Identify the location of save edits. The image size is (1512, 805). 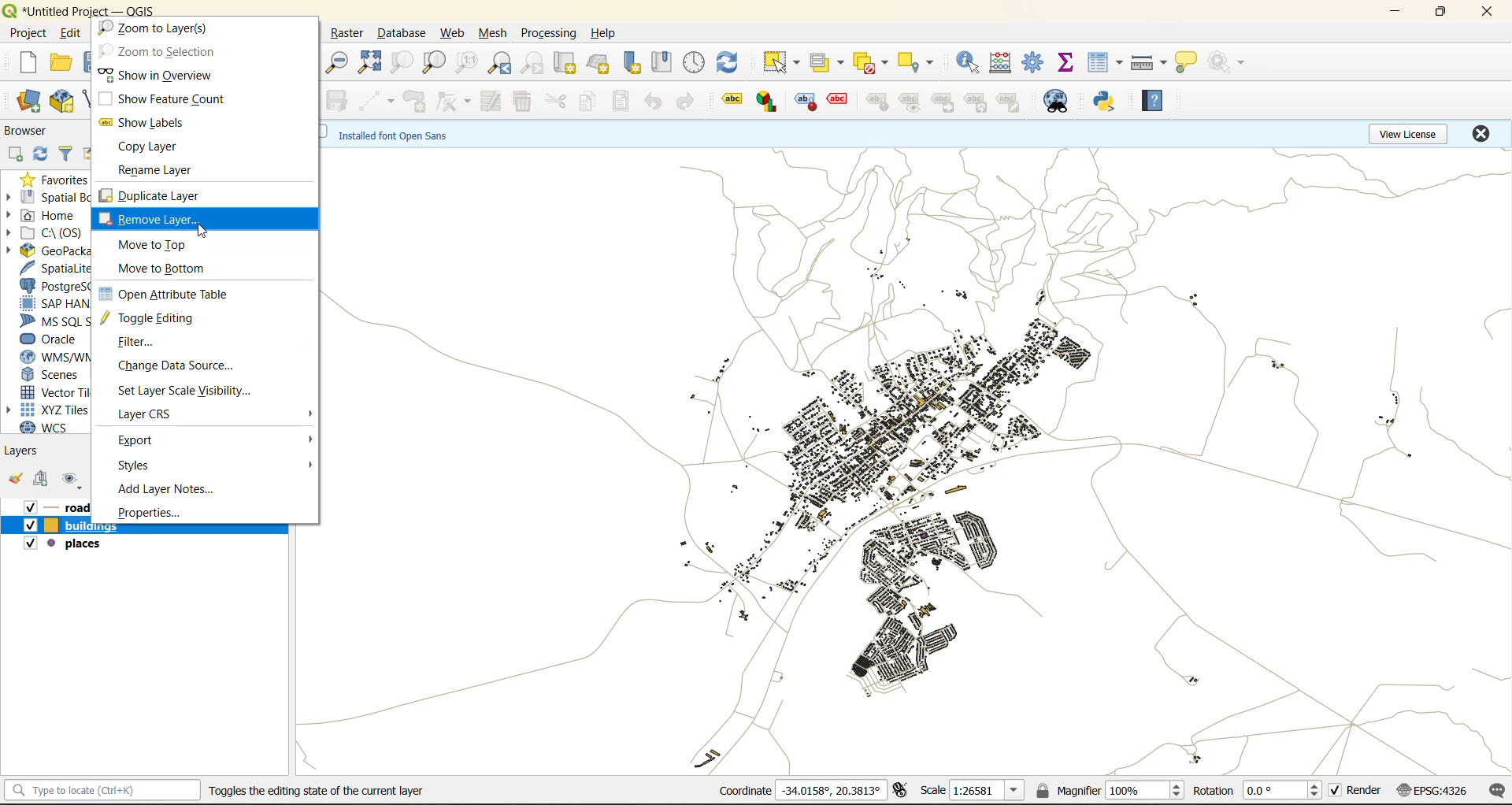
(339, 103).